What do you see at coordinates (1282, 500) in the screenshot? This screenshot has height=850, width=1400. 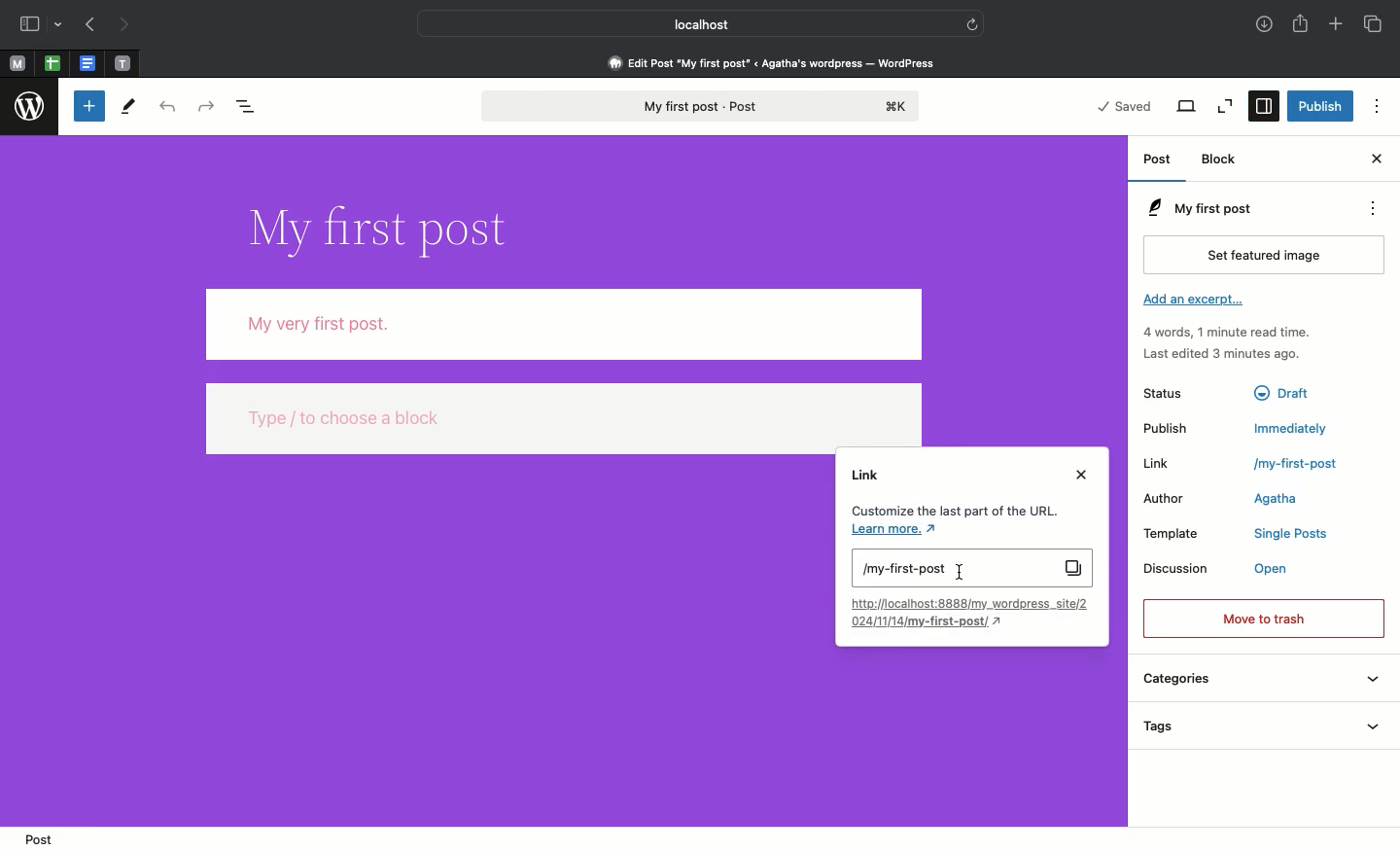 I see `Agatha` at bounding box center [1282, 500].